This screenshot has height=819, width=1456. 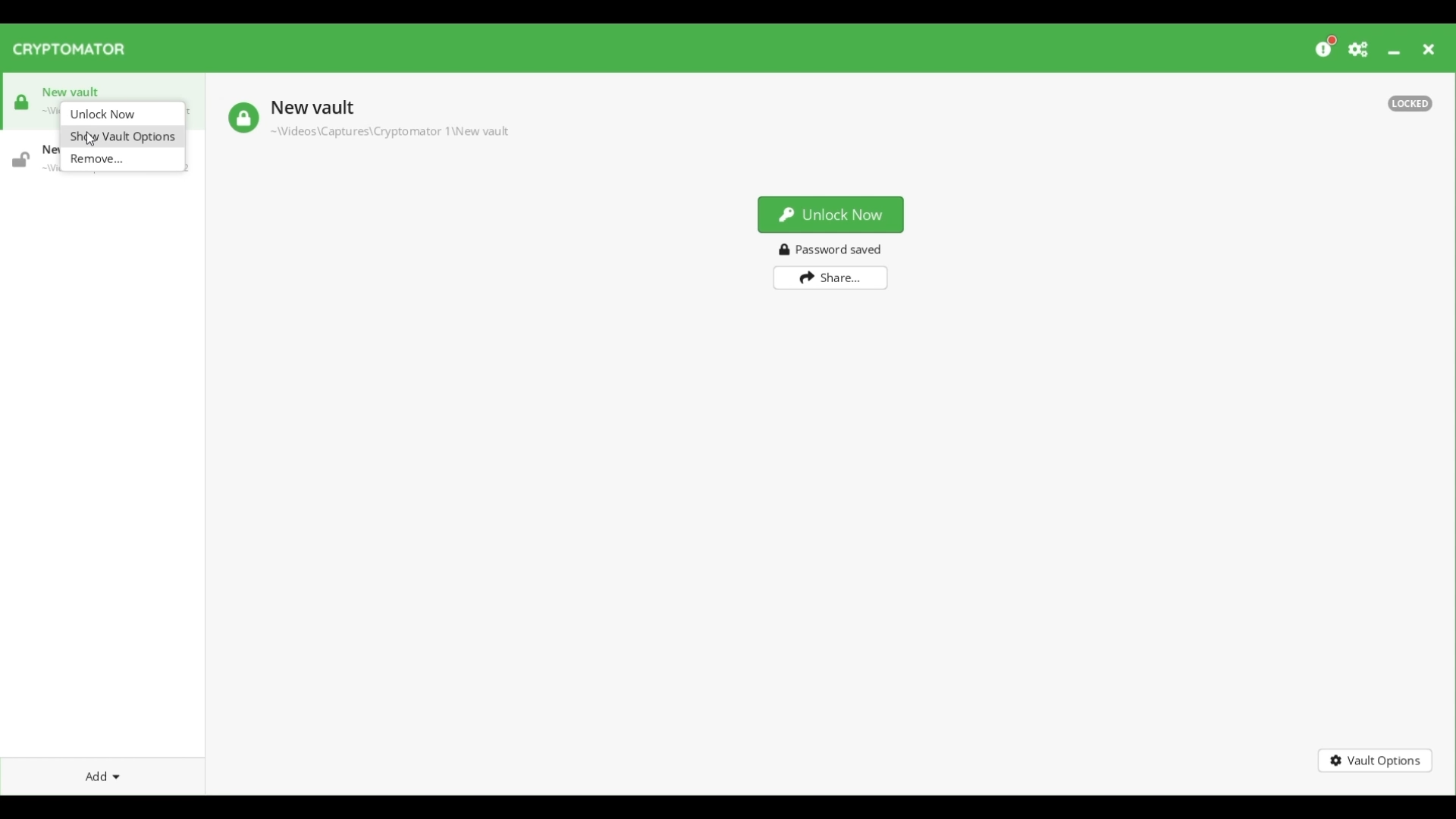 What do you see at coordinates (831, 215) in the screenshot?
I see `Unlock selected vault` at bounding box center [831, 215].